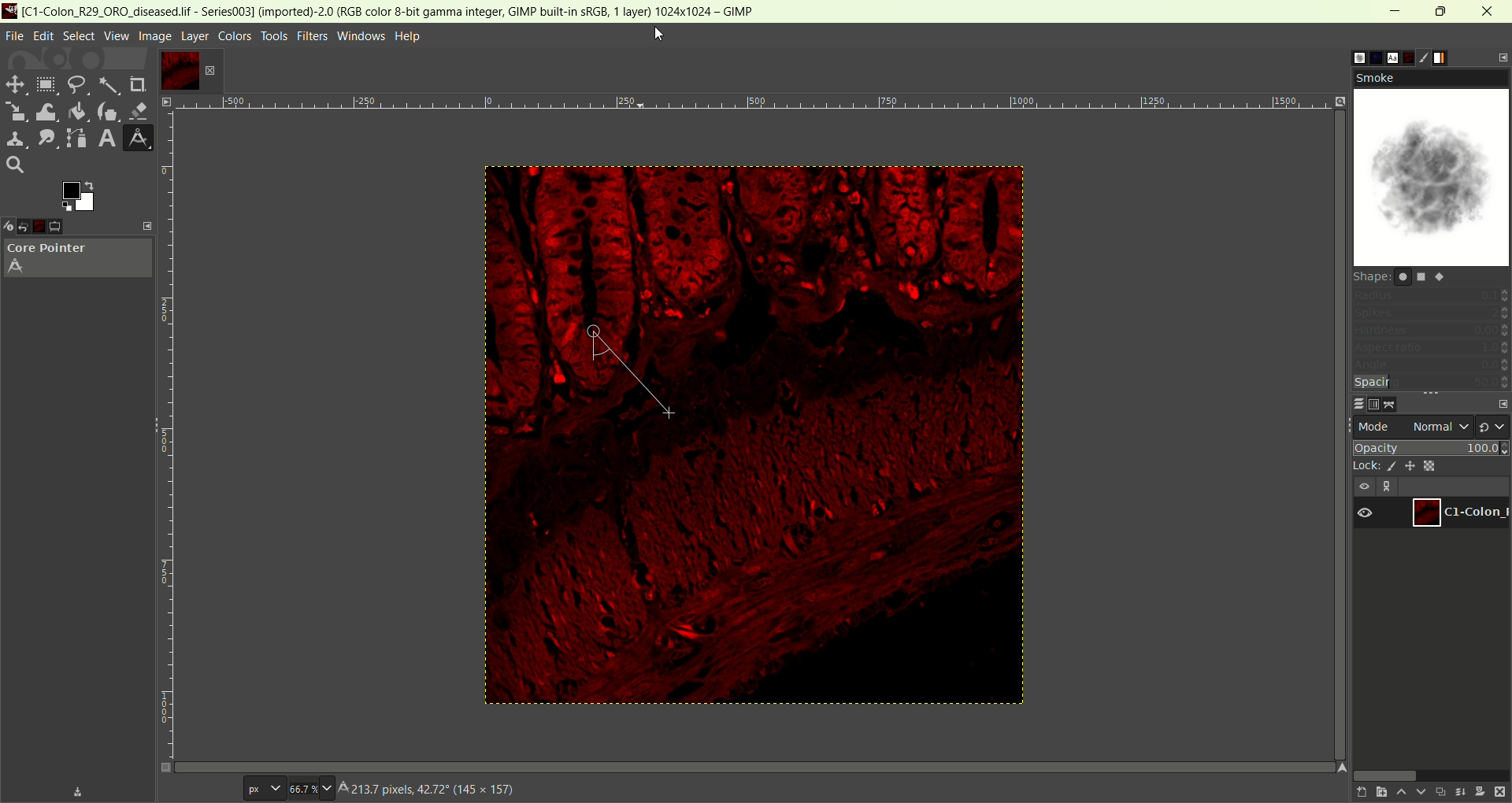 This screenshot has height=803, width=1512. What do you see at coordinates (1431, 296) in the screenshot?
I see `radius` at bounding box center [1431, 296].